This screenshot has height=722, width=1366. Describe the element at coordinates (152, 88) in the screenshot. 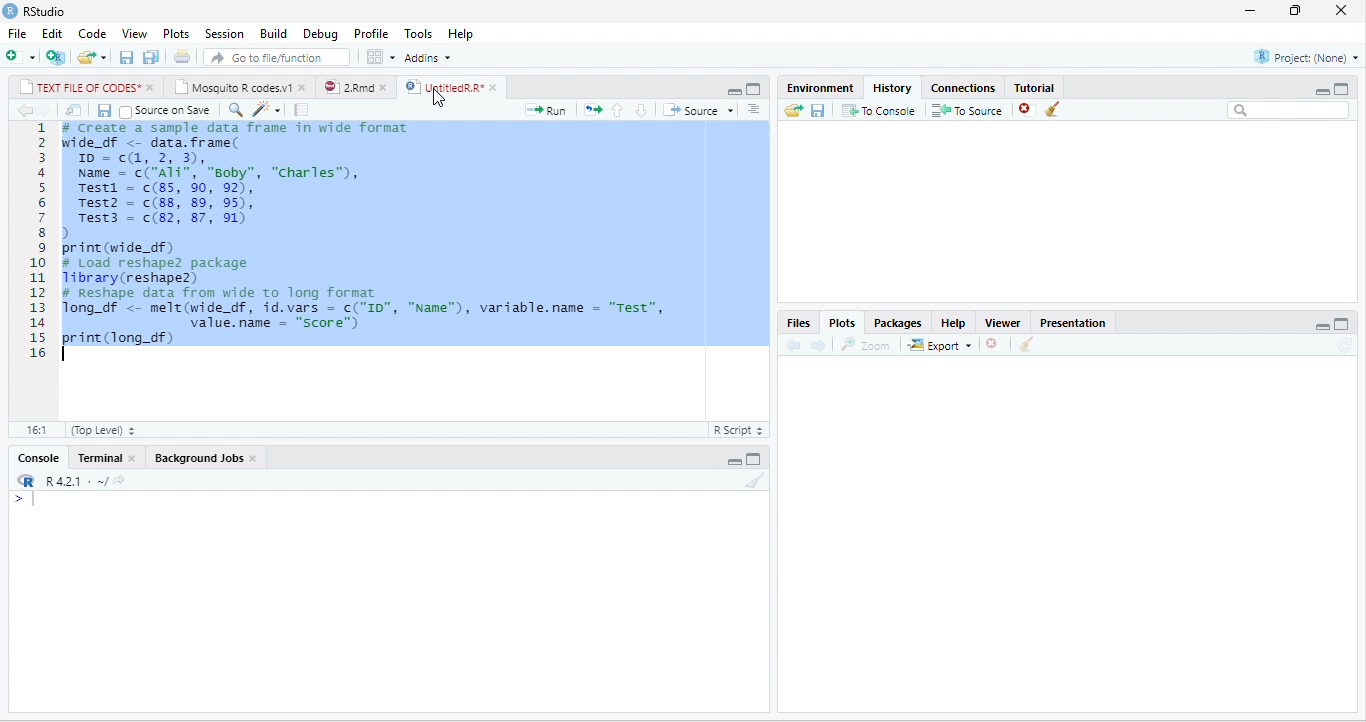

I see `close` at that location.